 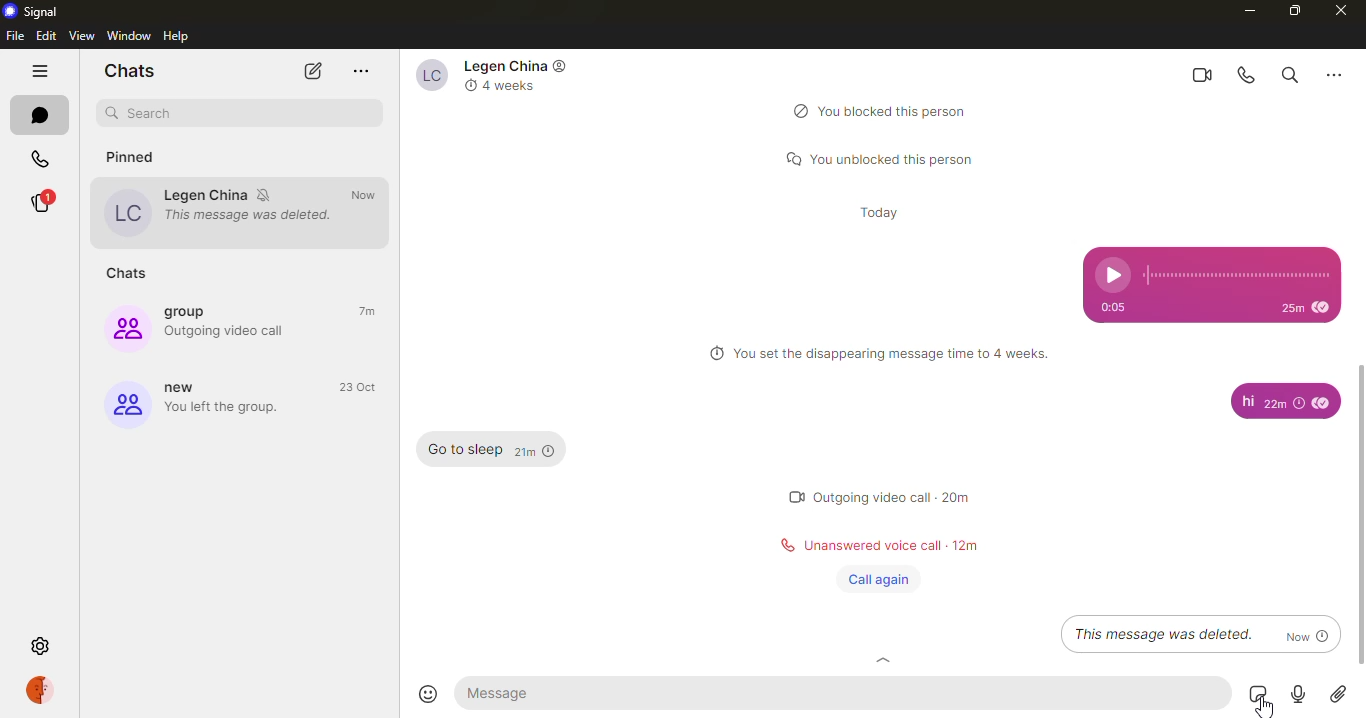 I want to click on sent, so click(x=1322, y=402).